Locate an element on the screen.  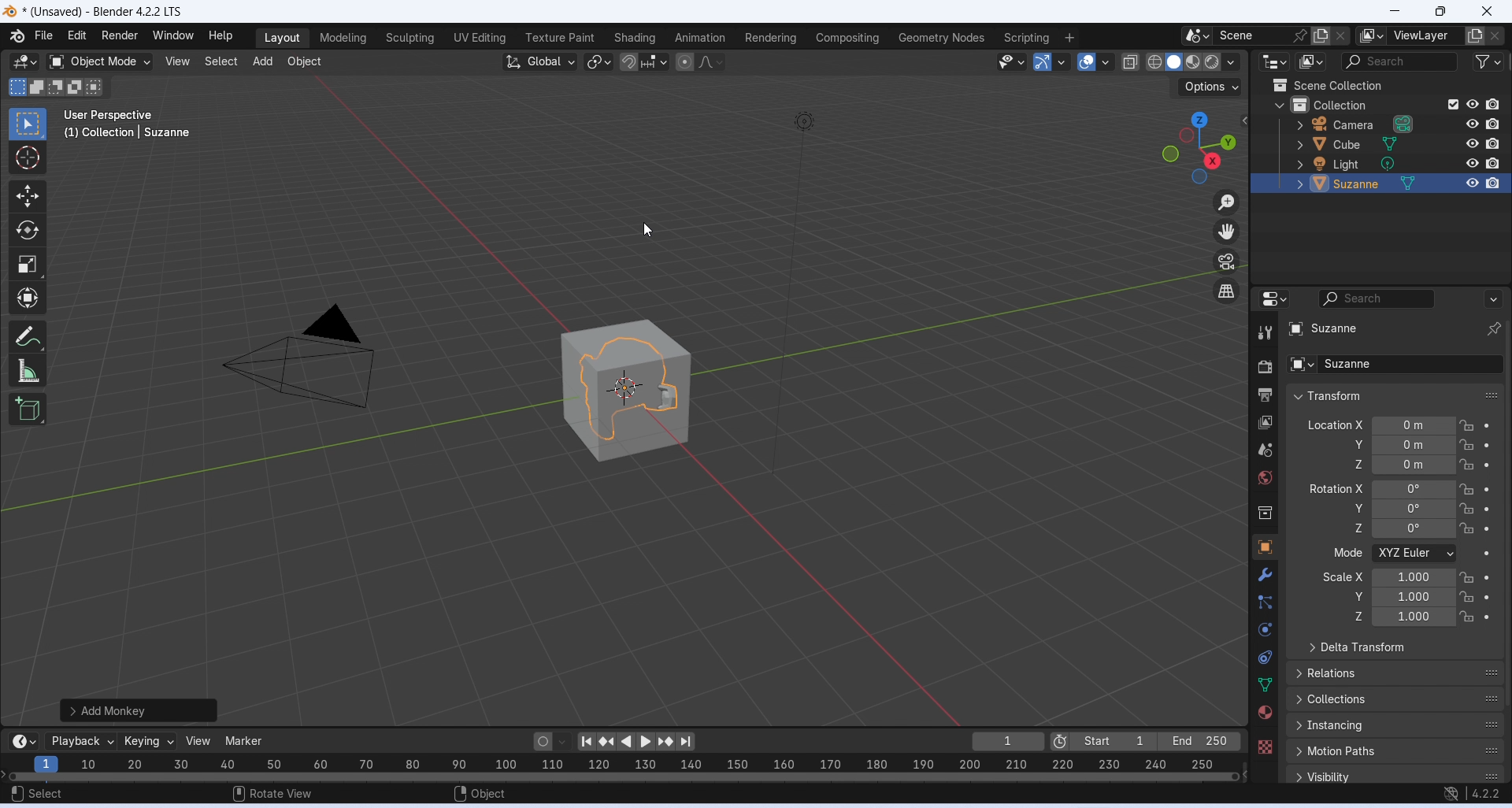
objects is located at coordinates (1265, 547).